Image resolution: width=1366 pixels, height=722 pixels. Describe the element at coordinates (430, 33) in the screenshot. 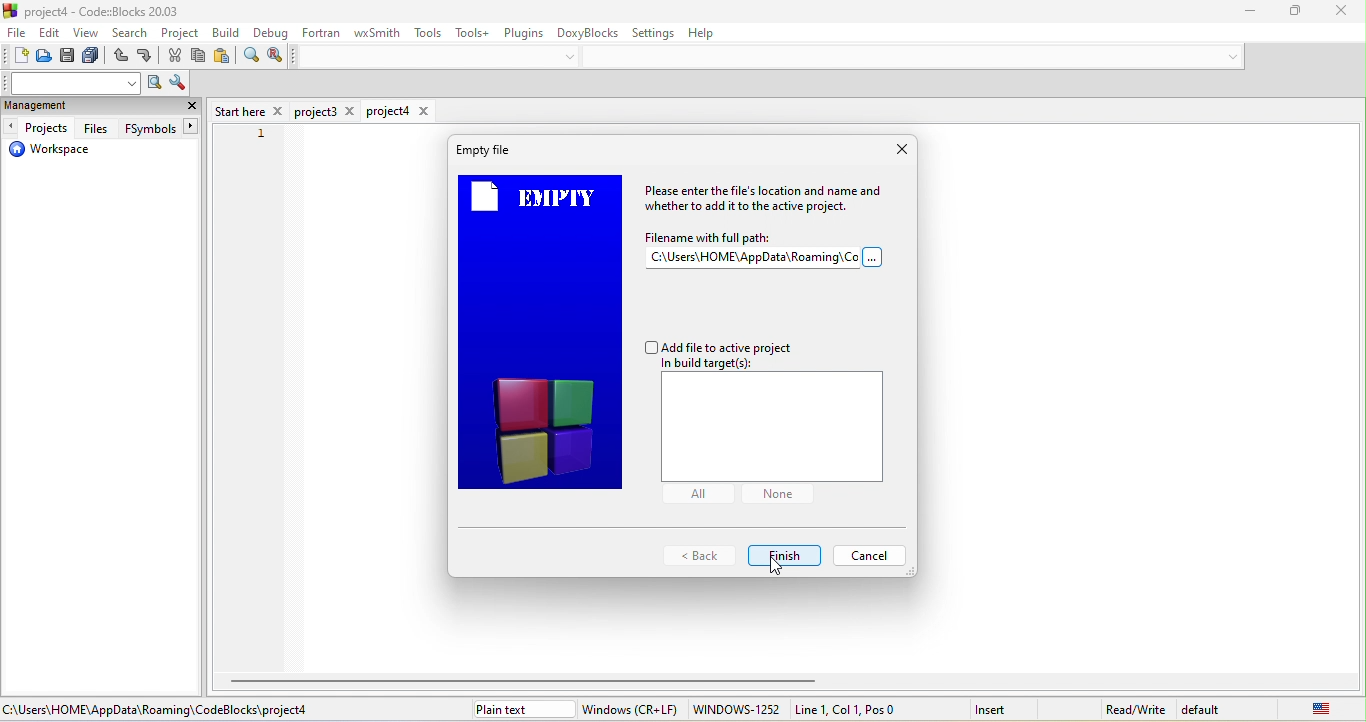

I see `tools` at that location.